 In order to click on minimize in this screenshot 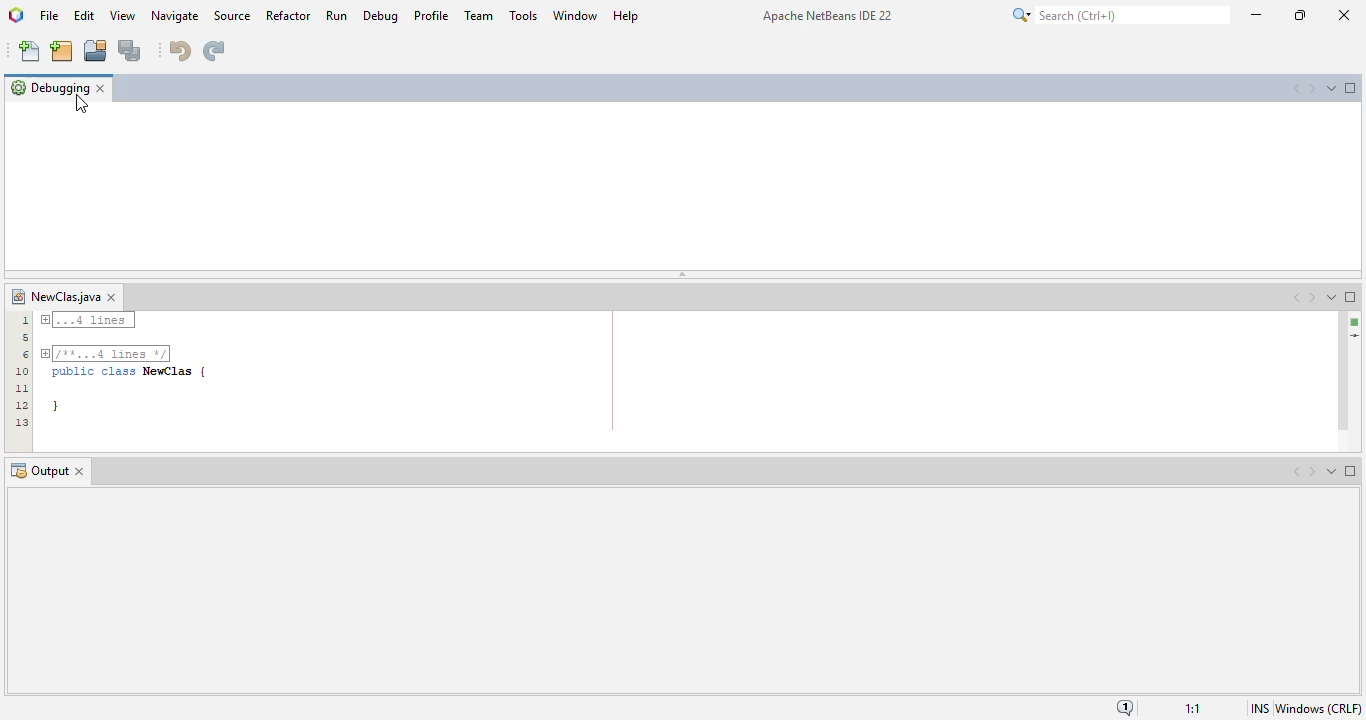, I will do `click(1256, 15)`.